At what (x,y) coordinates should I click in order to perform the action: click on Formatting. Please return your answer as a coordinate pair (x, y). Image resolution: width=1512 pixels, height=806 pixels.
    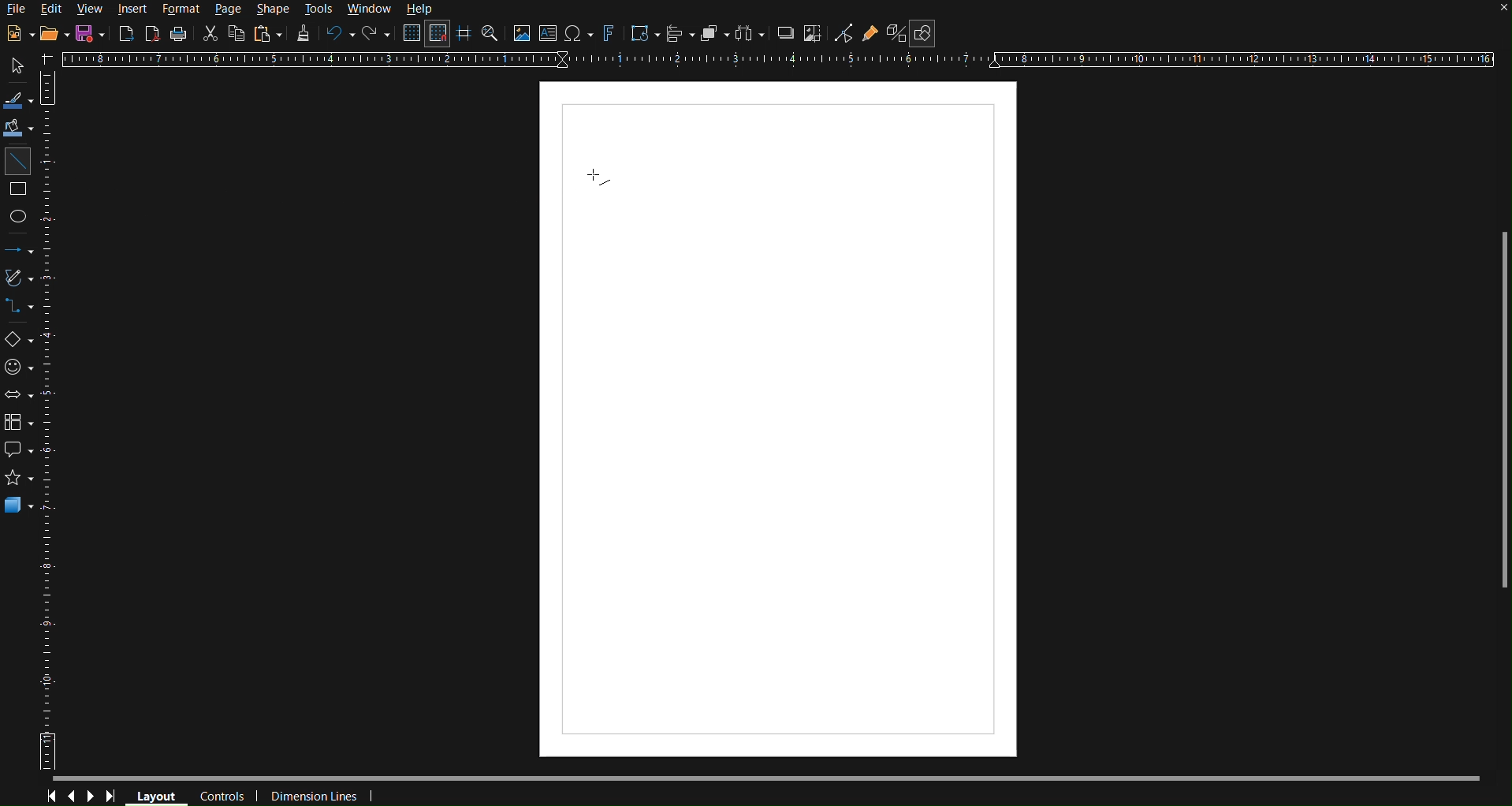
    Looking at the image, I should click on (303, 35).